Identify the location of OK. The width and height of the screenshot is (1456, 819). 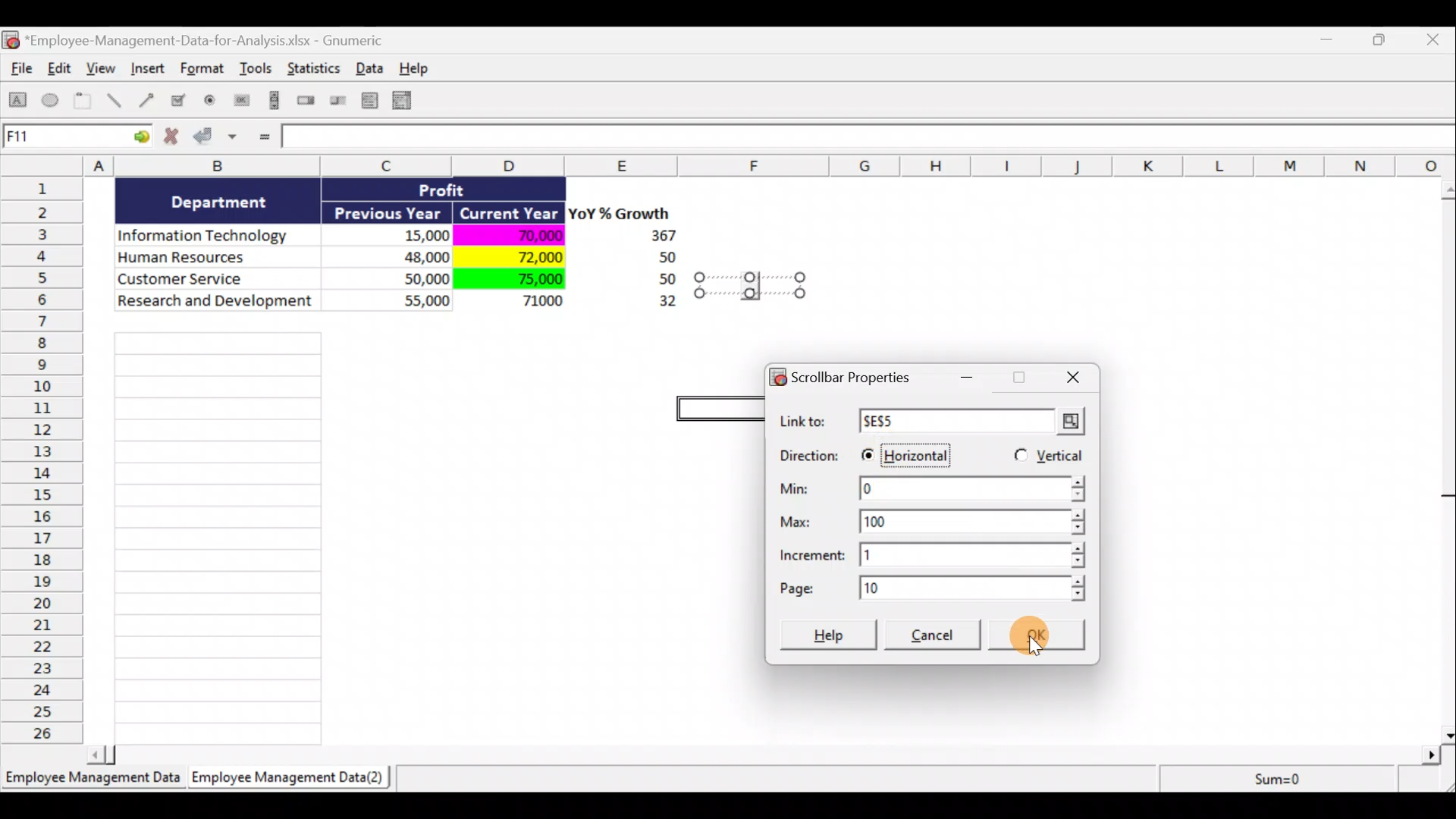
(1050, 640).